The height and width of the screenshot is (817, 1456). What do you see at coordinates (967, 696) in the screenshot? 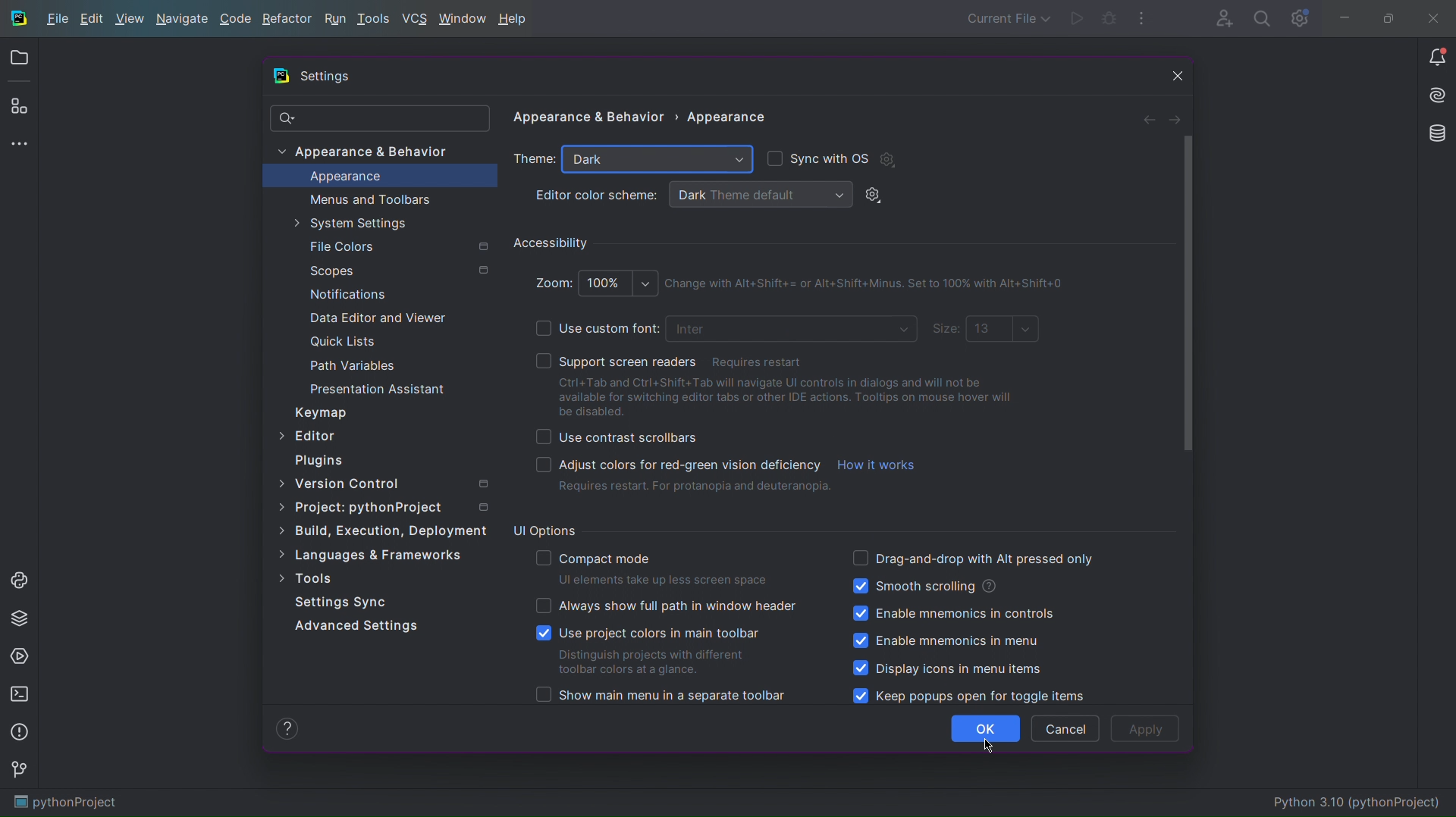
I see `Keep popups open for toggle items` at bounding box center [967, 696].